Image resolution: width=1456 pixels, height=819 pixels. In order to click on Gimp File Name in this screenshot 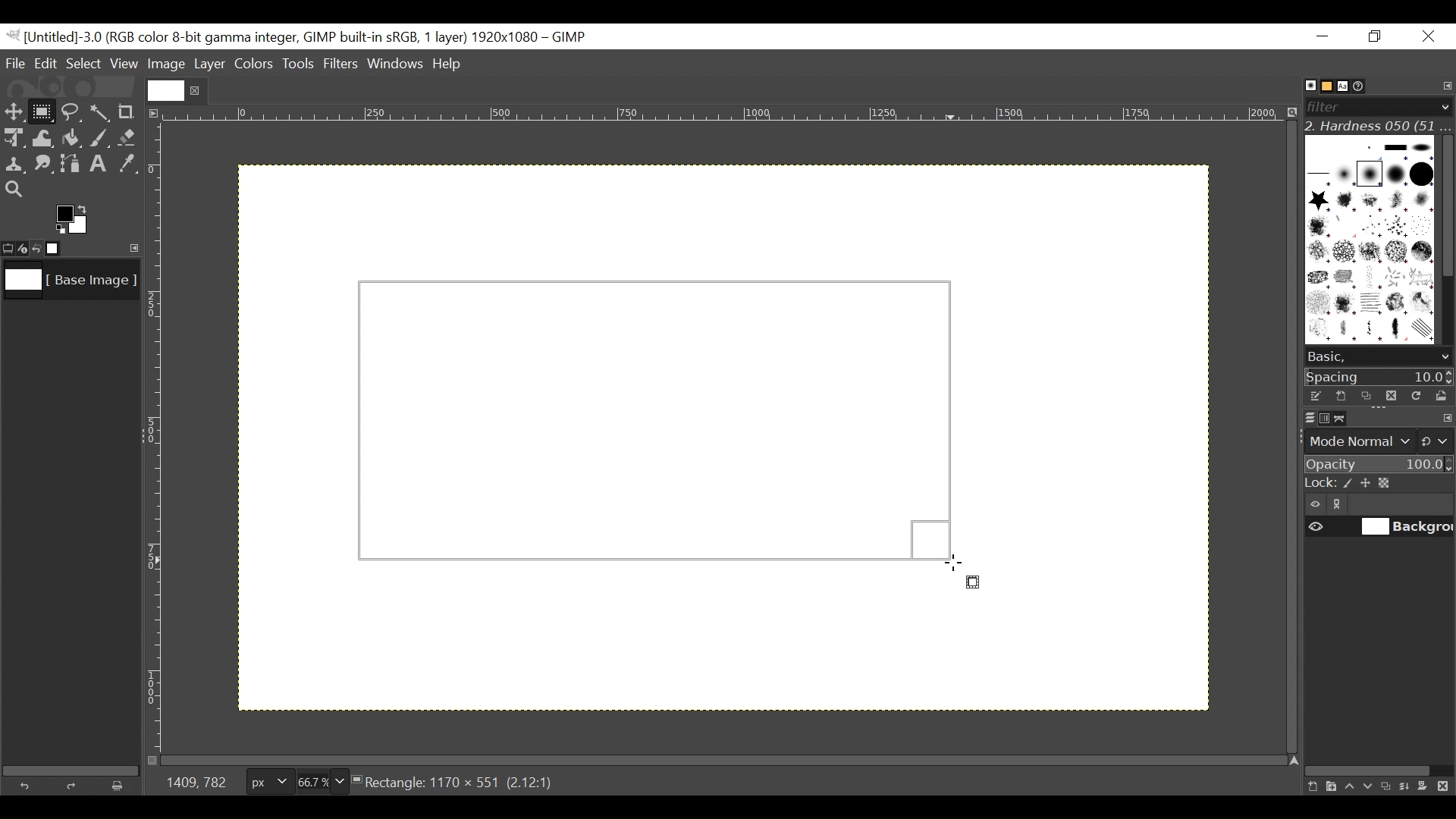, I will do `click(302, 37)`.